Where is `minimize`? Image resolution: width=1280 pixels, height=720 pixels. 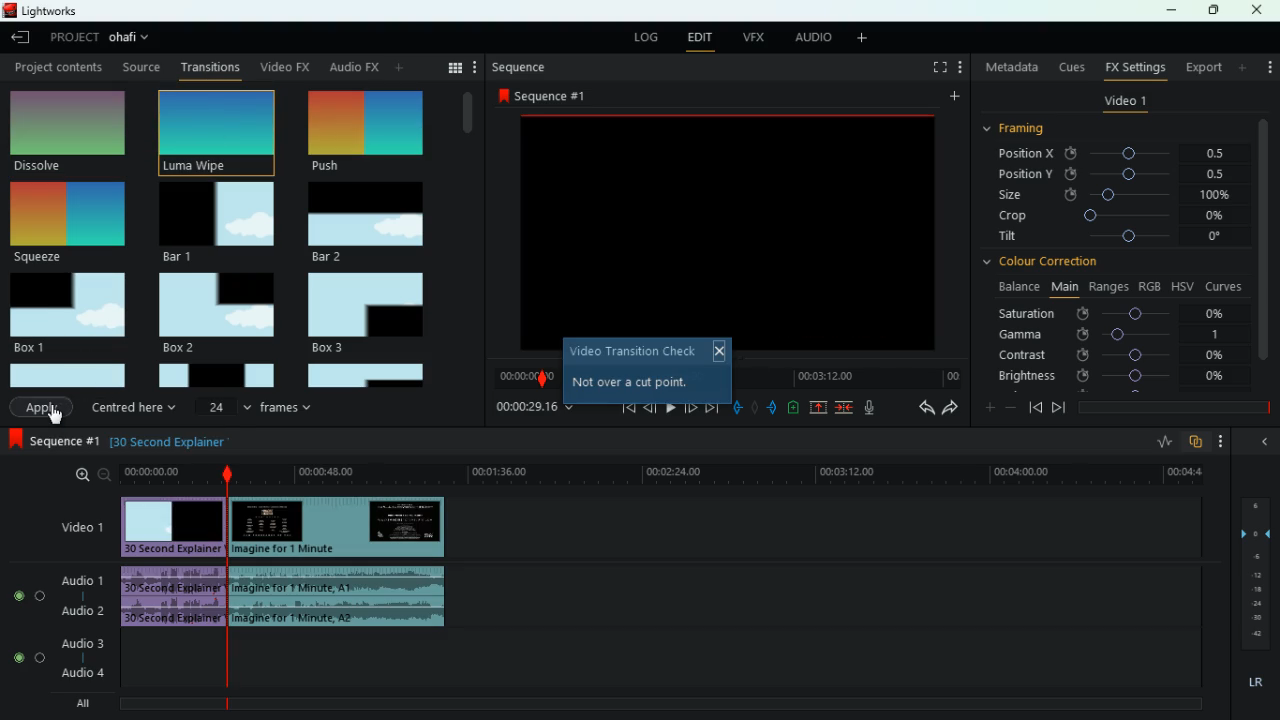
minimize is located at coordinates (1171, 12).